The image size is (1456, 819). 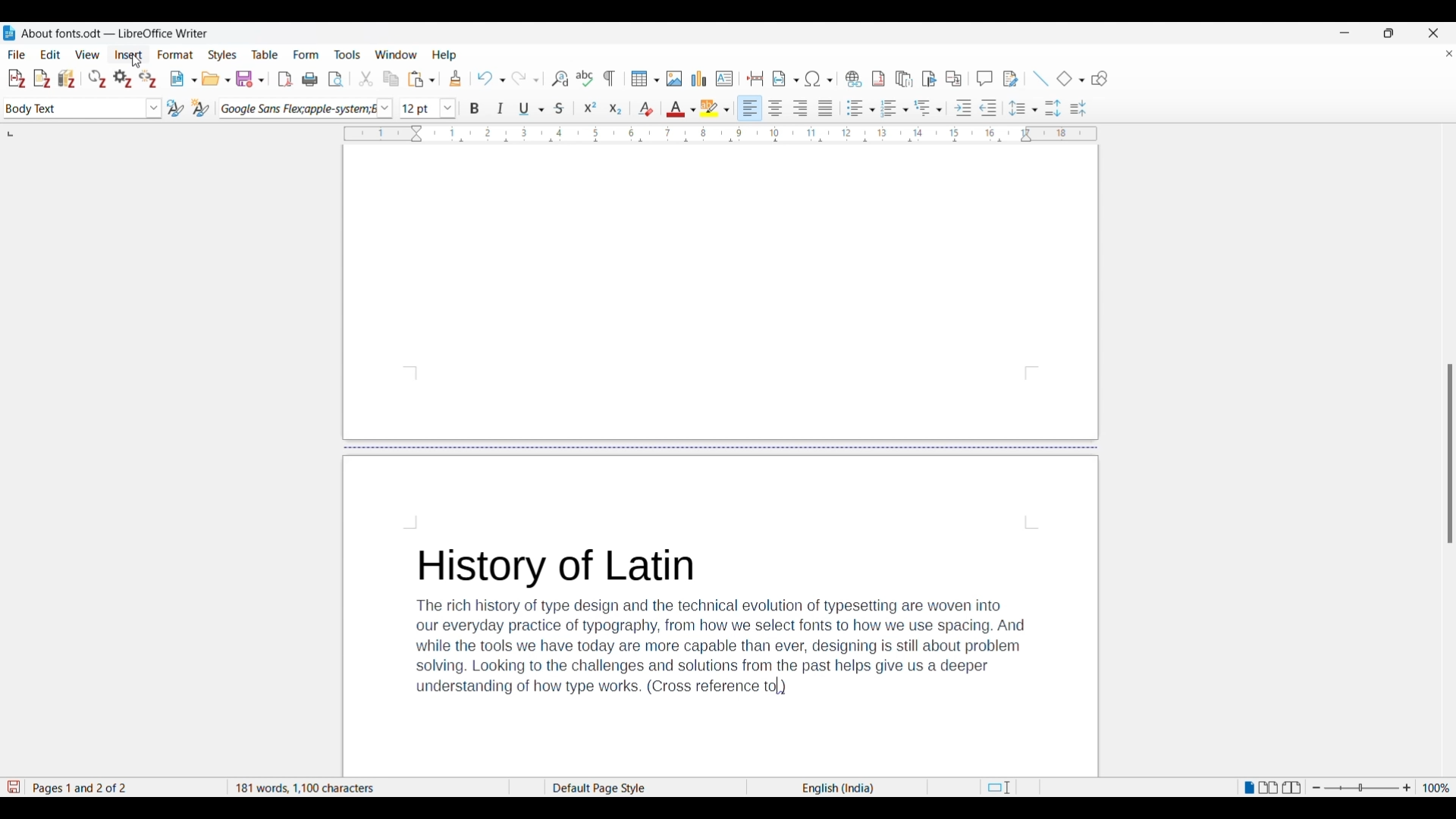 I want to click on Minimize, so click(x=1345, y=33).